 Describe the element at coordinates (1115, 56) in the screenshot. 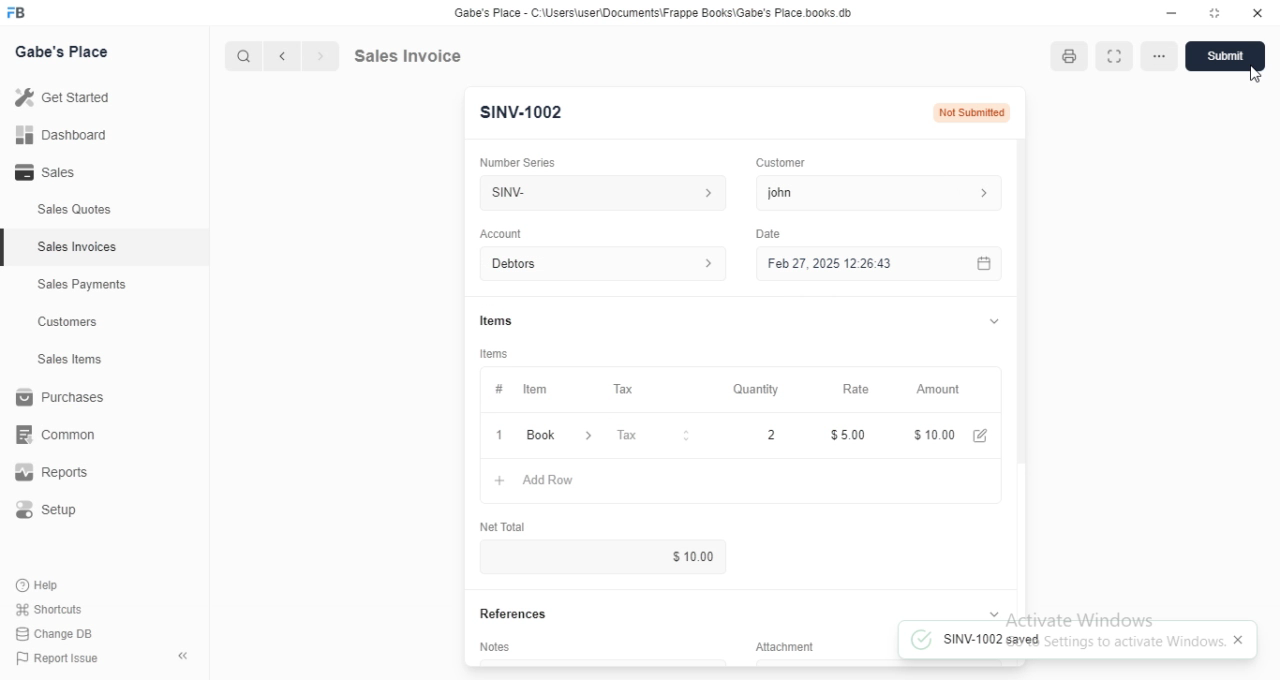

I see `Expand` at that location.